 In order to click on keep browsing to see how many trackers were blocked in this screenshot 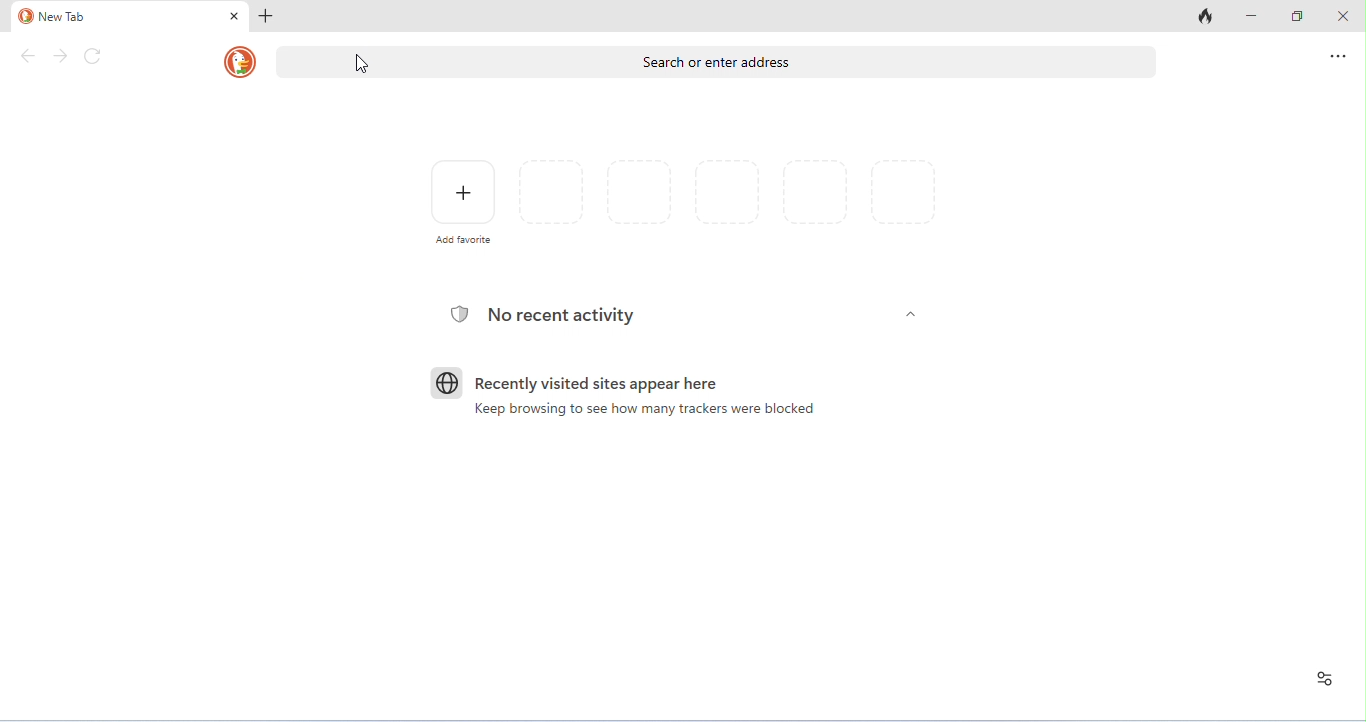, I will do `click(645, 410)`.